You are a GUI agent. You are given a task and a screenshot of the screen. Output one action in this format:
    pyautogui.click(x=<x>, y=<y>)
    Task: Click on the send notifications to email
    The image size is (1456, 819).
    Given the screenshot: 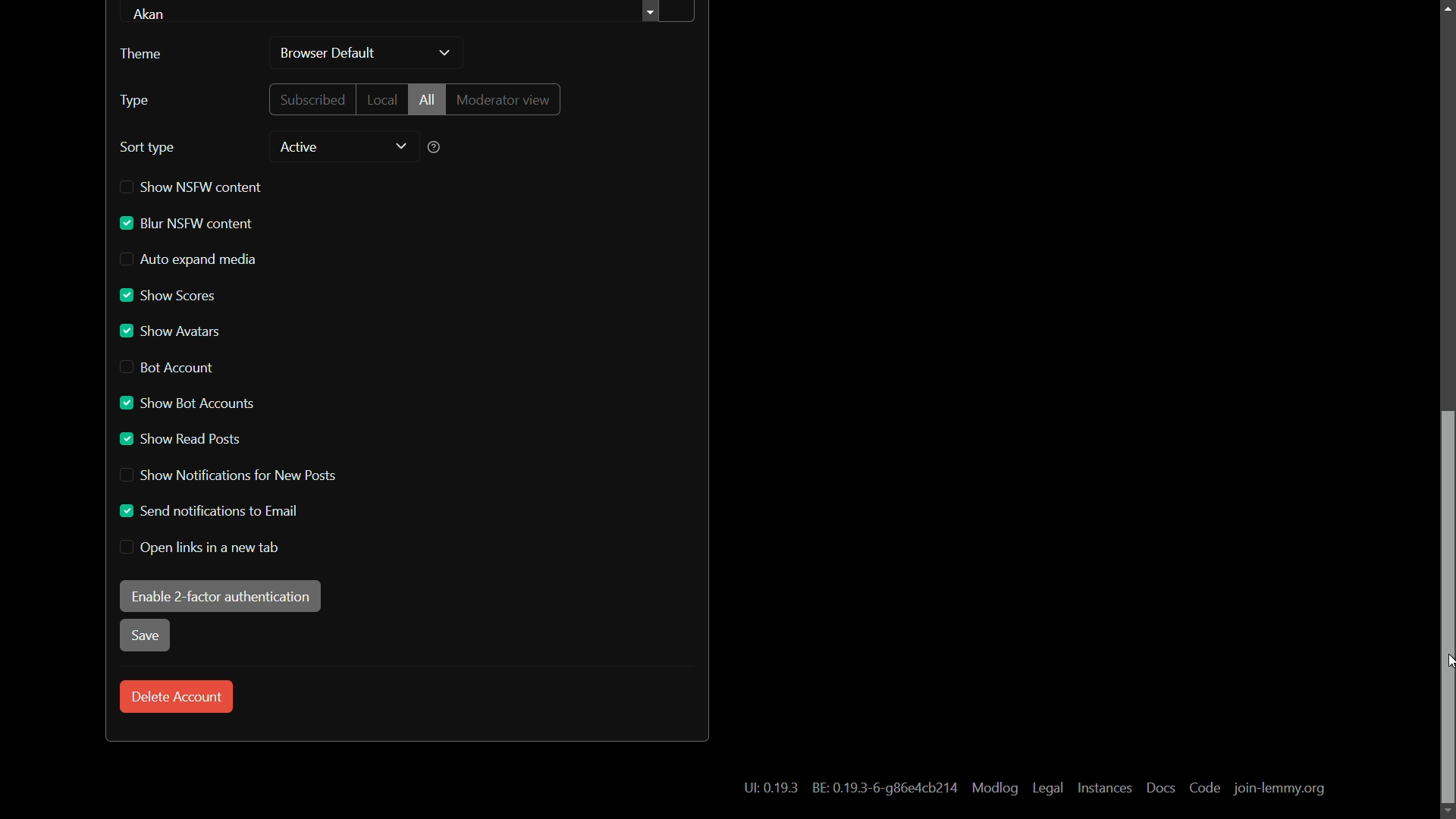 What is the action you would take?
    pyautogui.click(x=206, y=510)
    